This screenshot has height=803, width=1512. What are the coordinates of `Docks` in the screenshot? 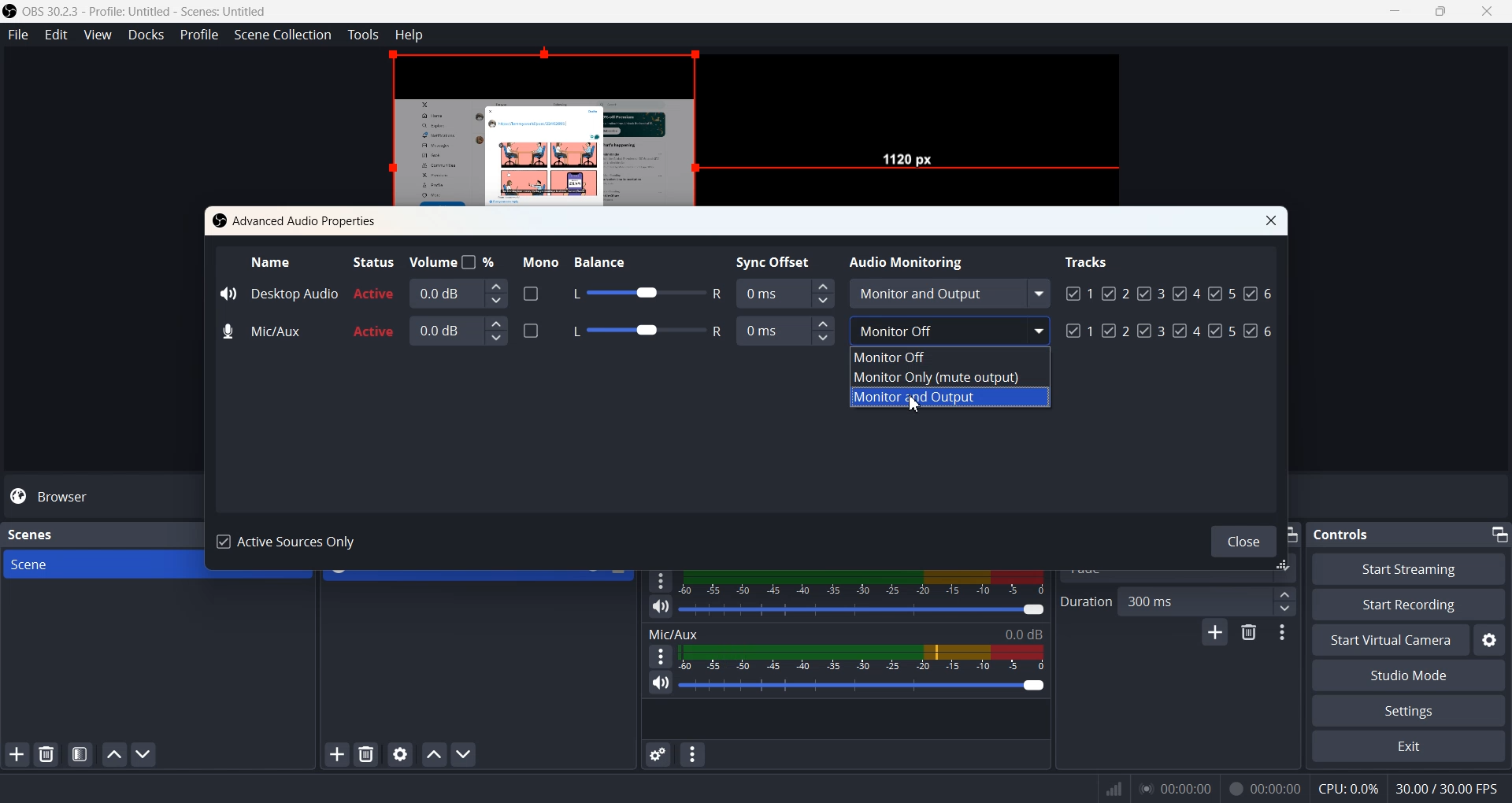 It's located at (146, 35).